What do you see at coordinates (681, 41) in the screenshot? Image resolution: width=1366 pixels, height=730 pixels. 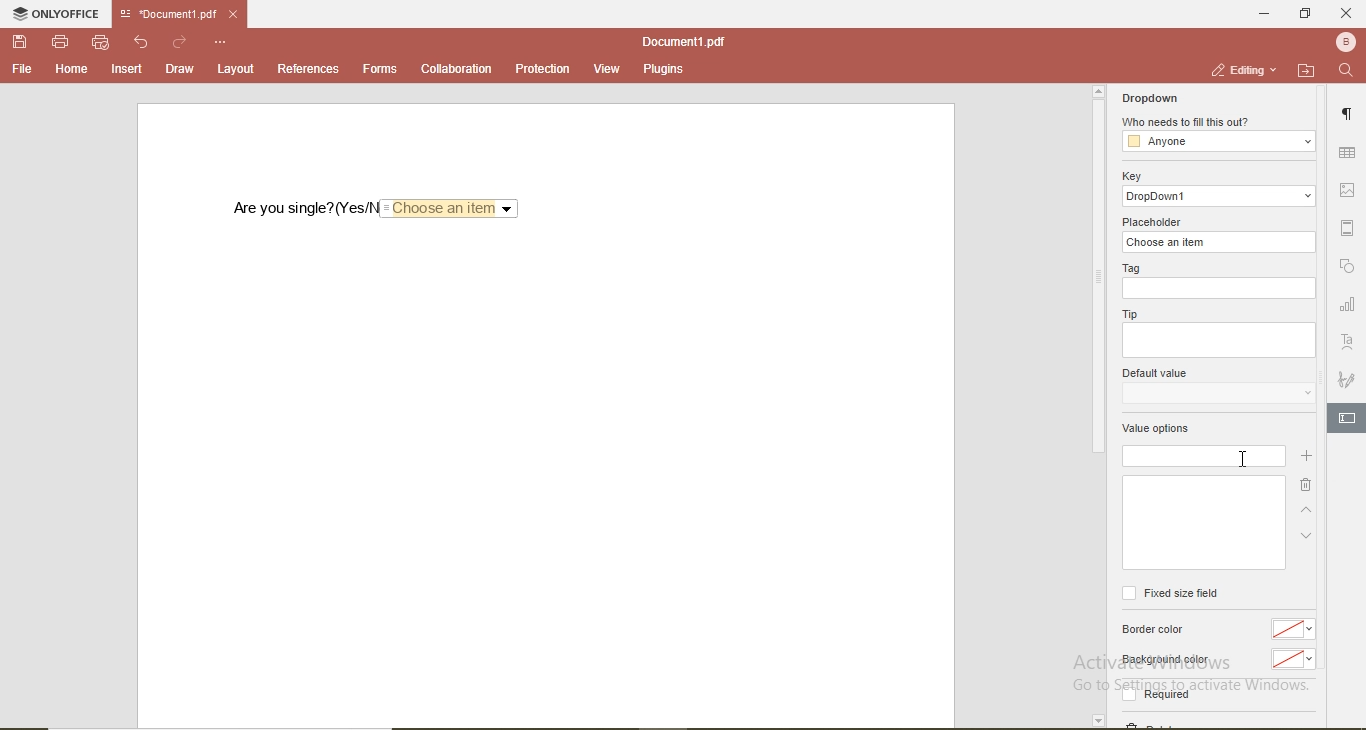 I see `document` at bounding box center [681, 41].